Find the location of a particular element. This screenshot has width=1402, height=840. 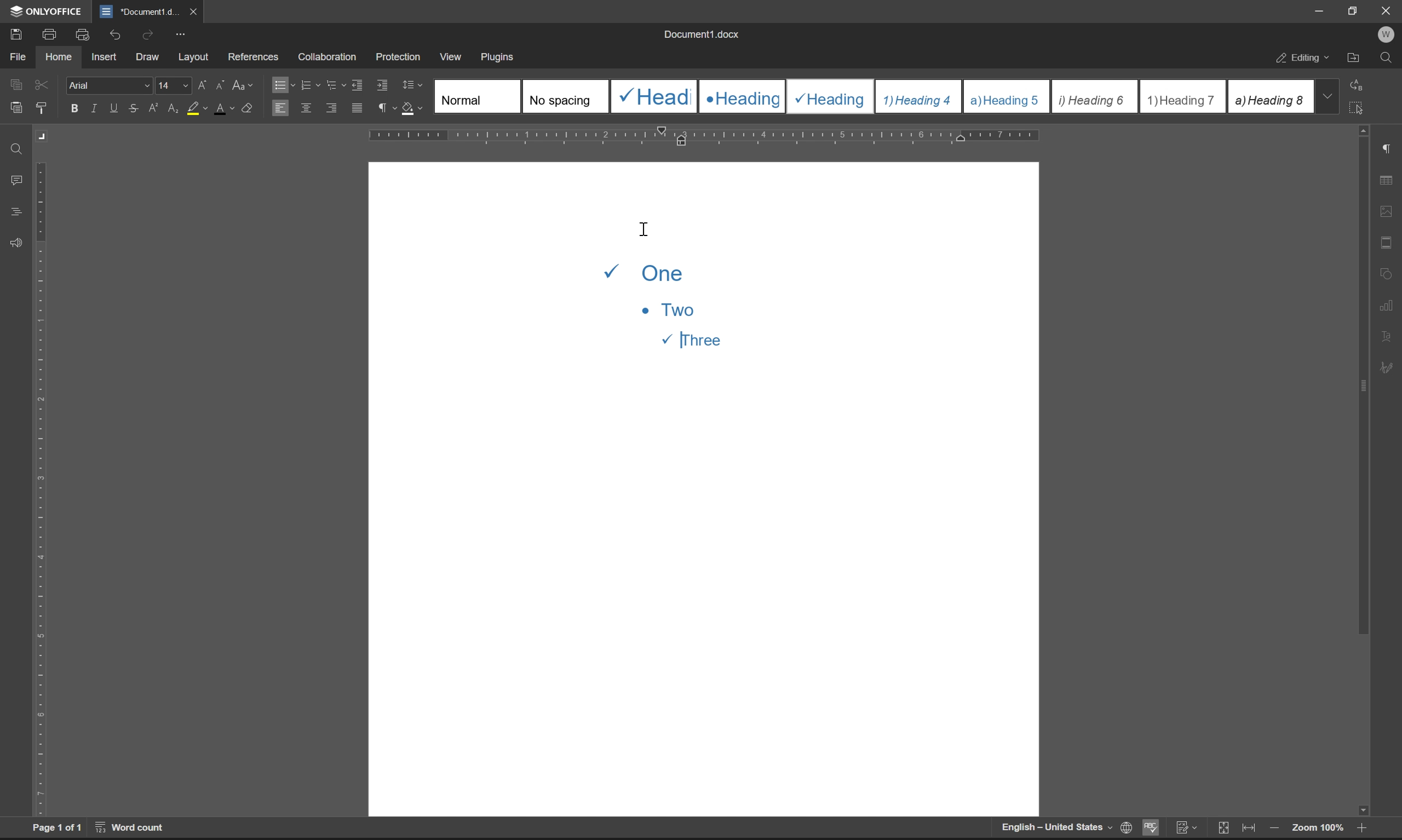

decrement font case is located at coordinates (217, 83).